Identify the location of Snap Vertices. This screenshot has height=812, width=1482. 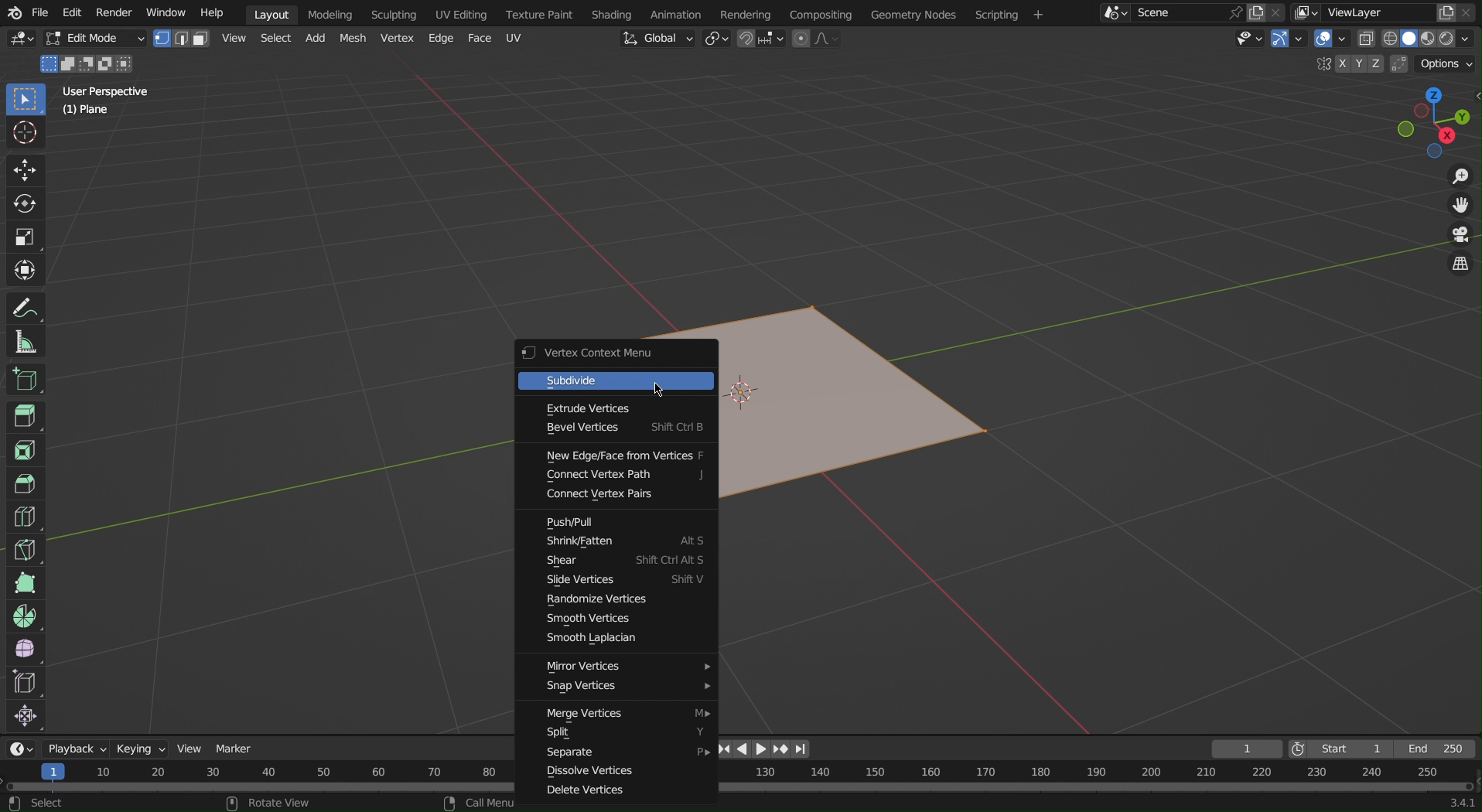
(622, 691).